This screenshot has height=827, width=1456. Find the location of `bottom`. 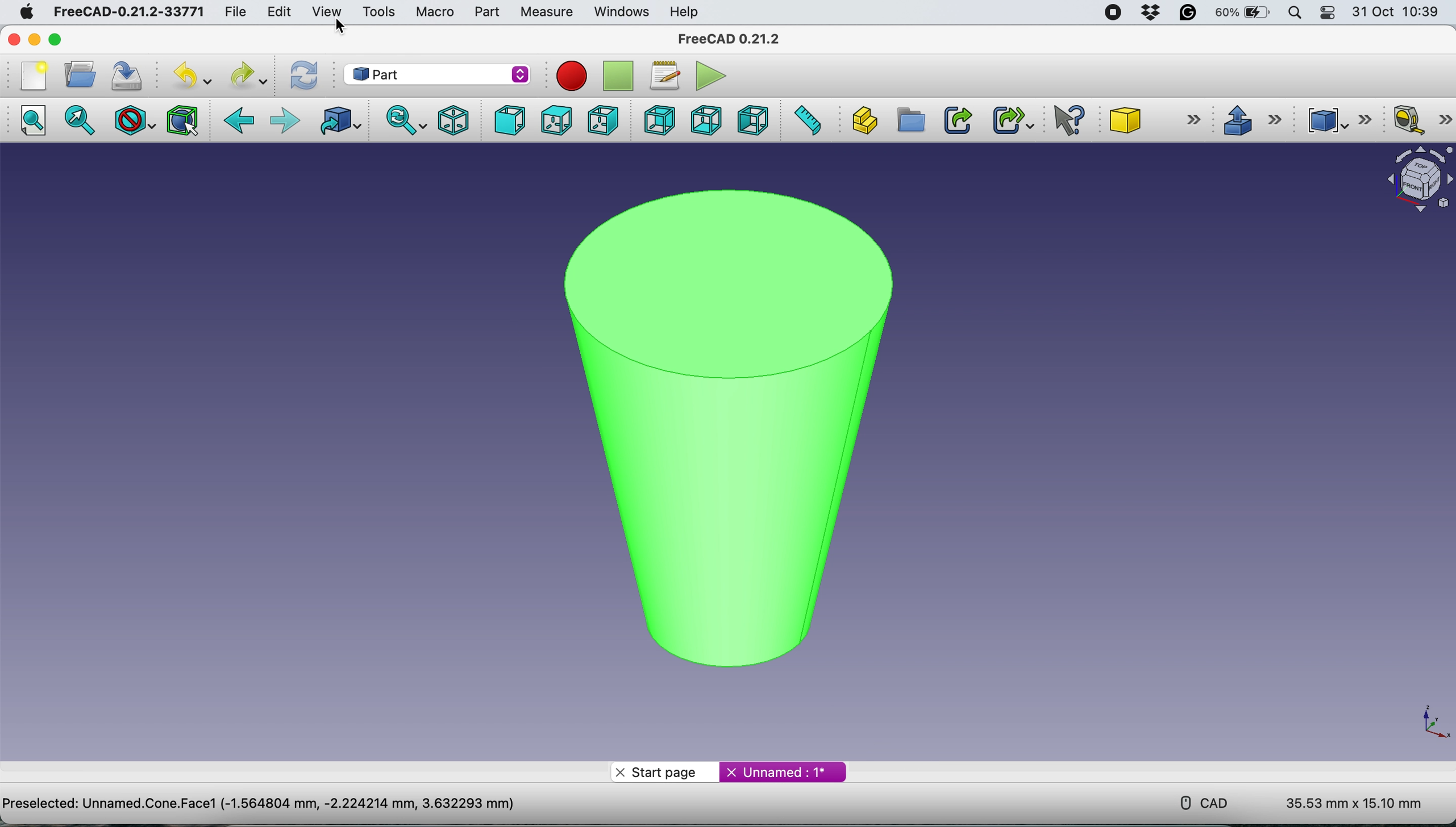

bottom is located at coordinates (703, 119).